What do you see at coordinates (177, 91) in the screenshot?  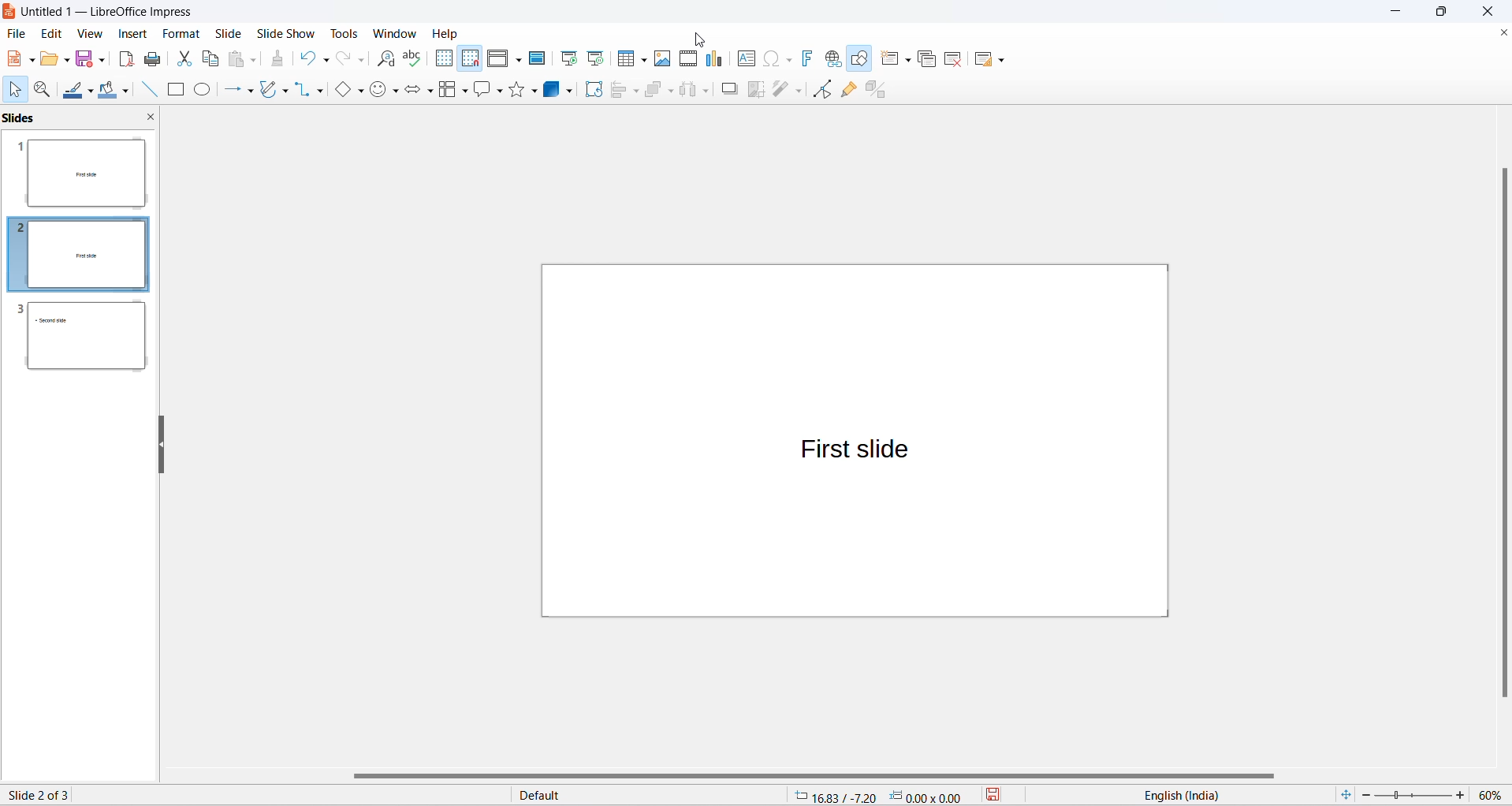 I see `rectangle` at bounding box center [177, 91].